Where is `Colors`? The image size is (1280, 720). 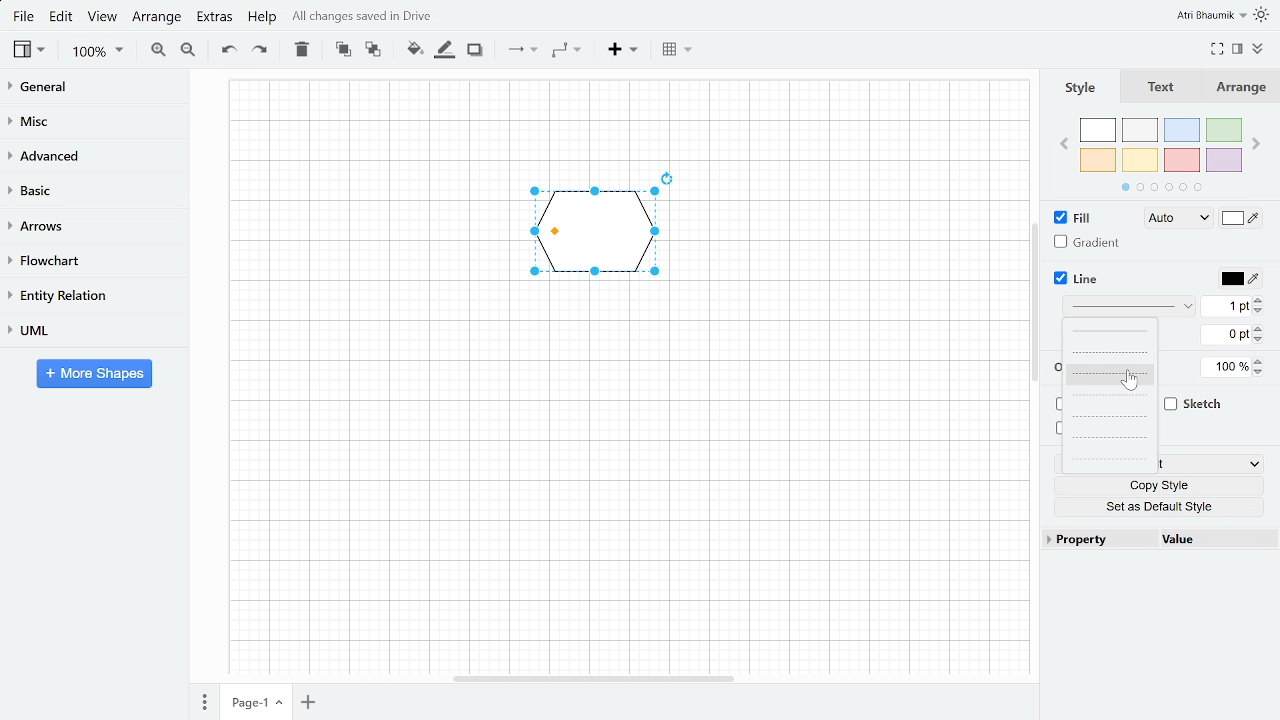
Colors is located at coordinates (1161, 145).